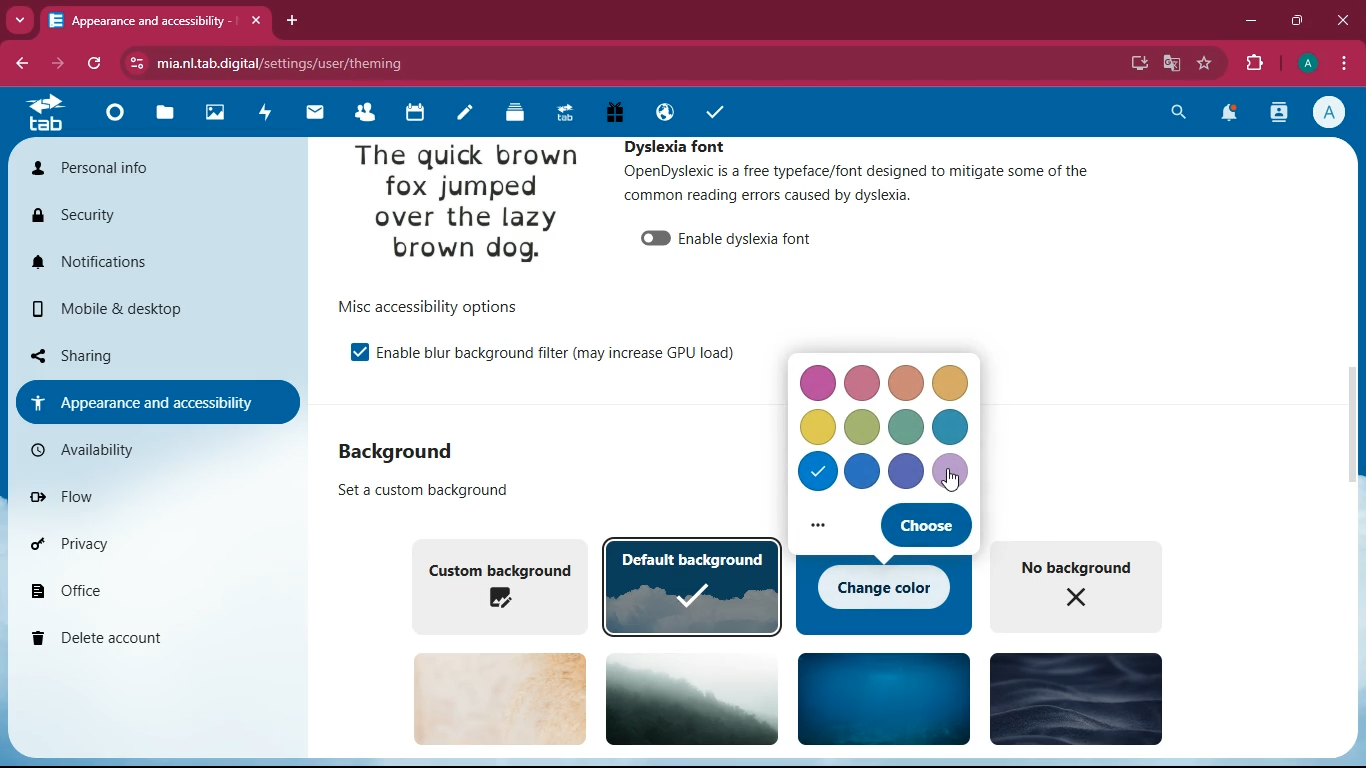  I want to click on more, so click(823, 529).